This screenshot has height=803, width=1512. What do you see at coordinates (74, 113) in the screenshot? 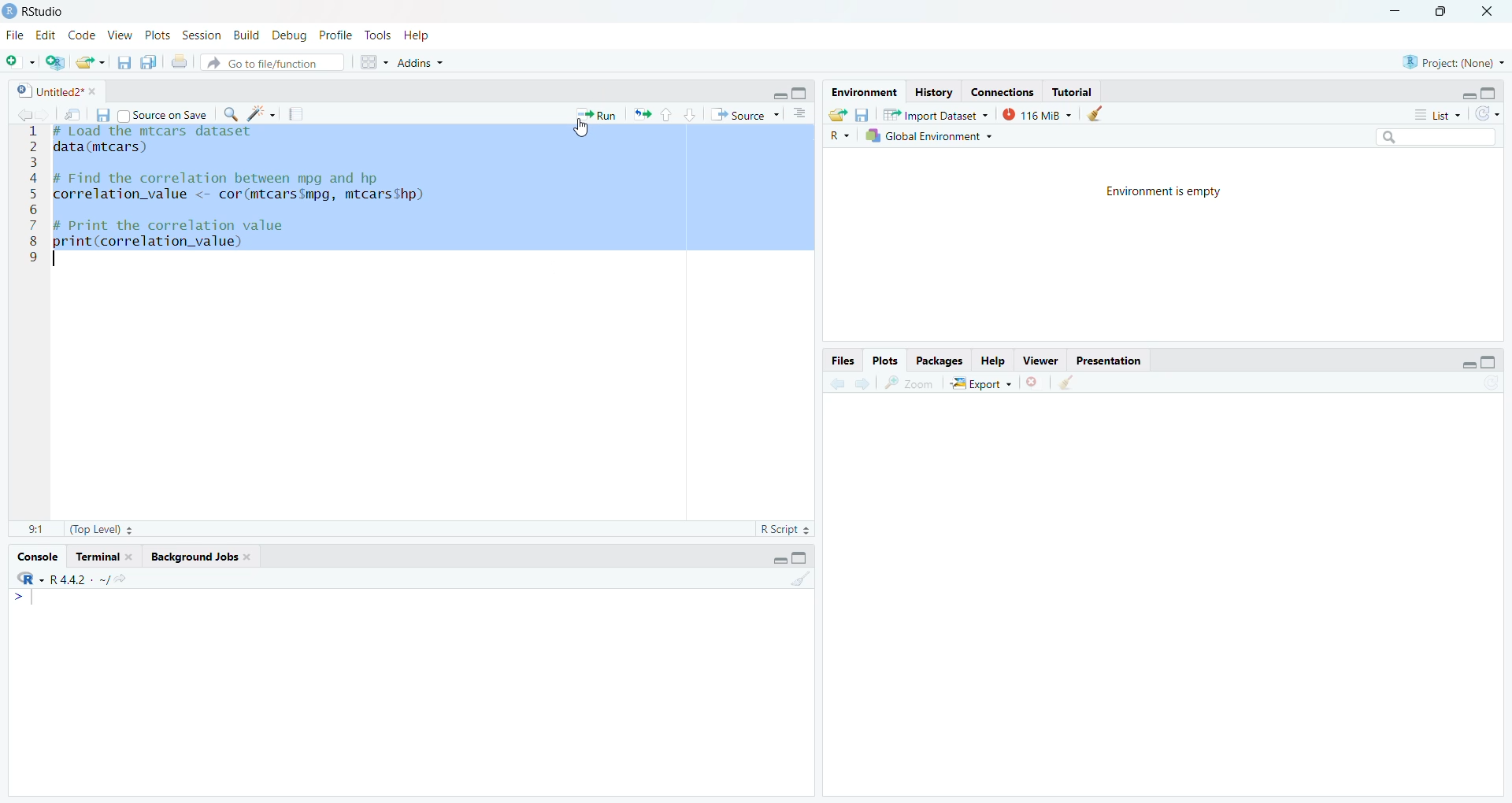
I see `Show in new window` at bounding box center [74, 113].